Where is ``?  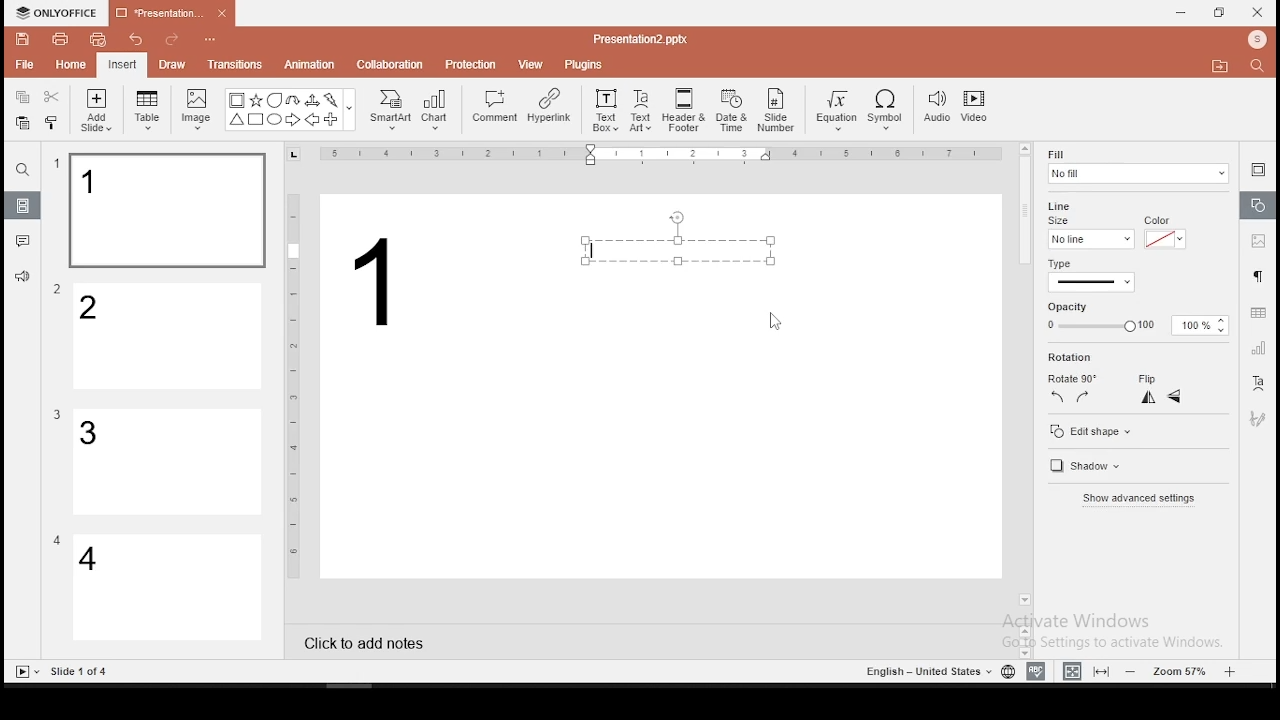  is located at coordinates (294, 384).